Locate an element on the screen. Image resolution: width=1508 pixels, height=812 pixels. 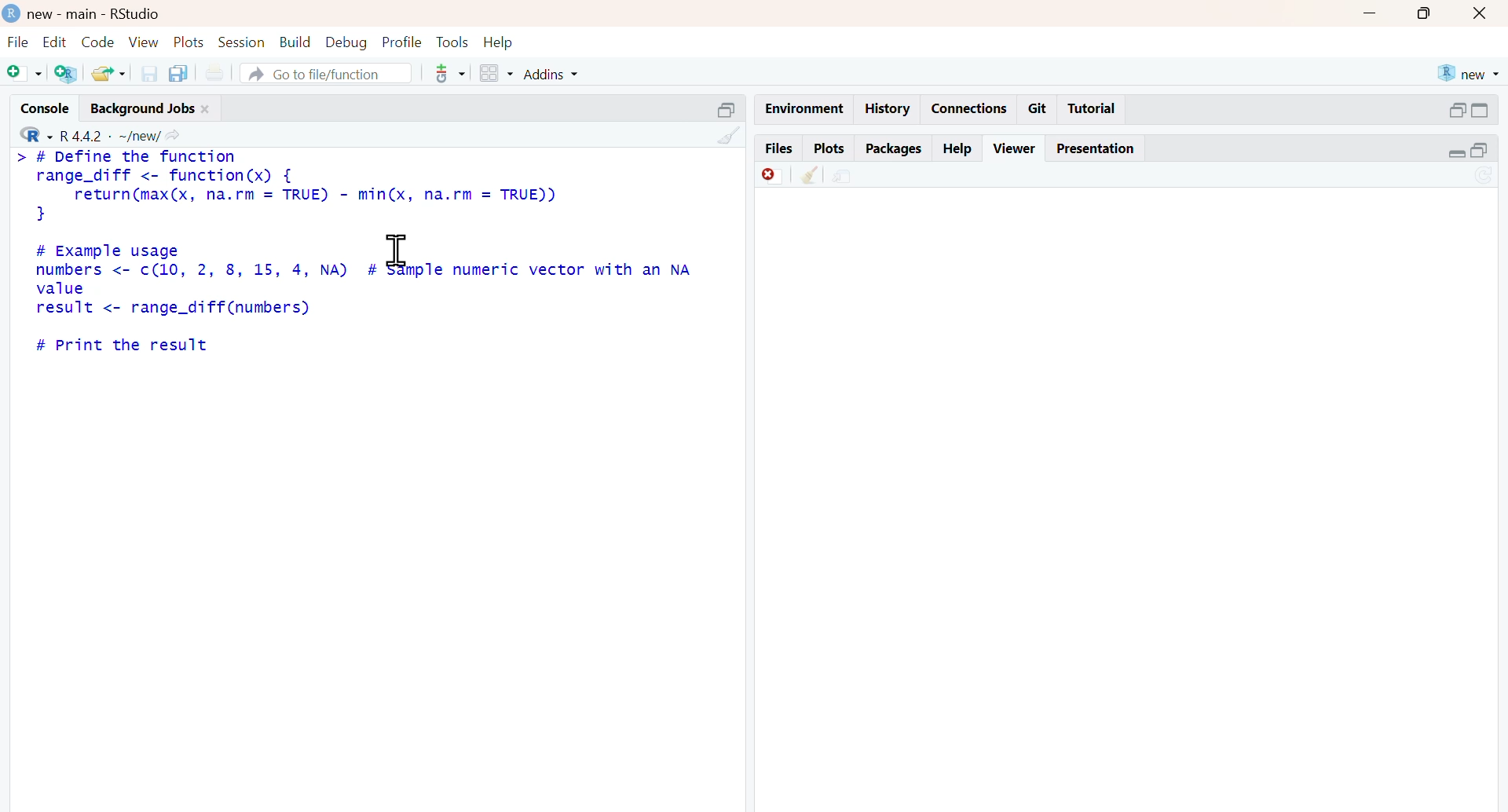
tools is located at coordinates (454, 42).